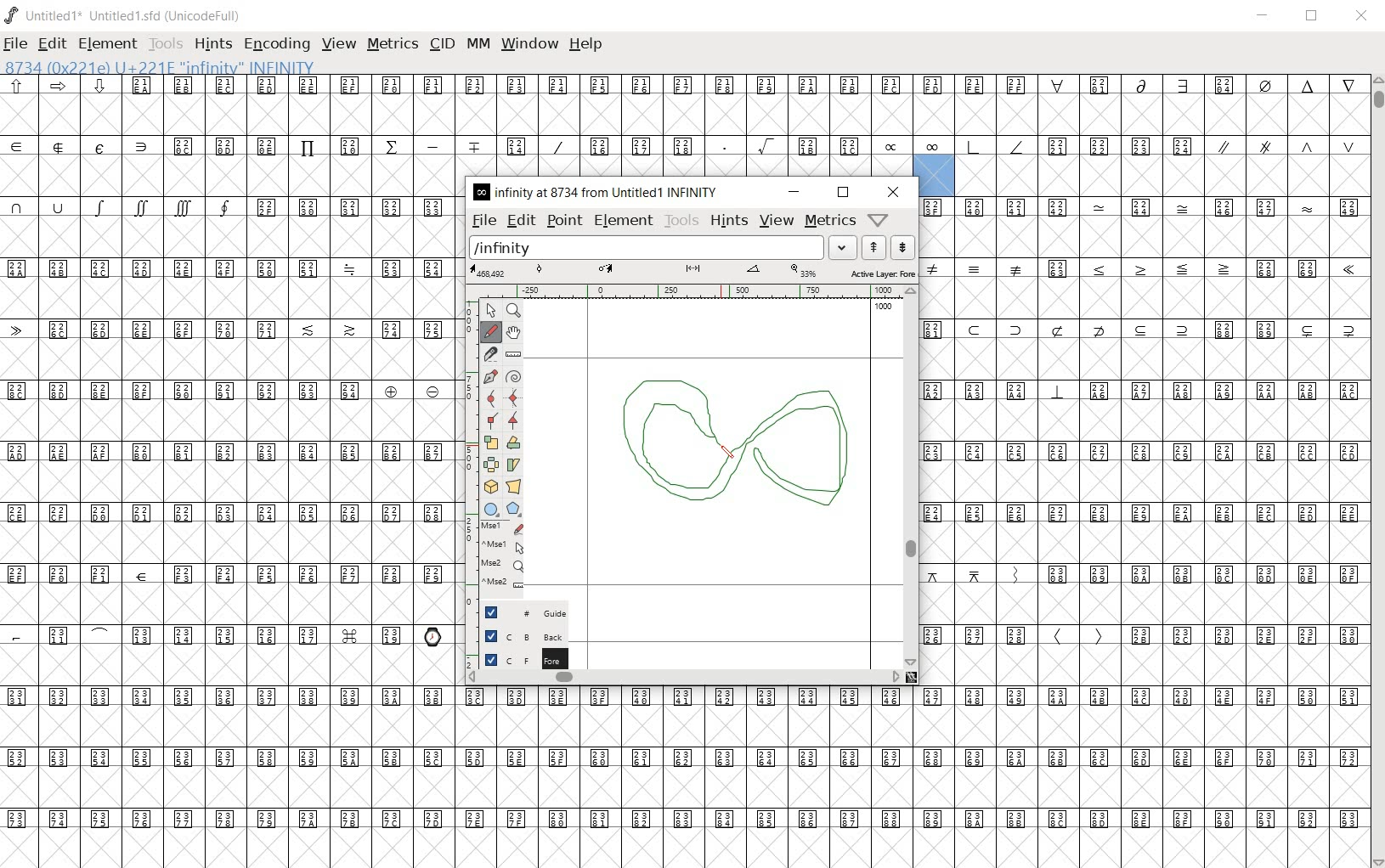 This screenshot has width=1385, height=868. Describe the element at coordinates (1145, 513) in the screenshot. I see `Unicode code points` at that location.